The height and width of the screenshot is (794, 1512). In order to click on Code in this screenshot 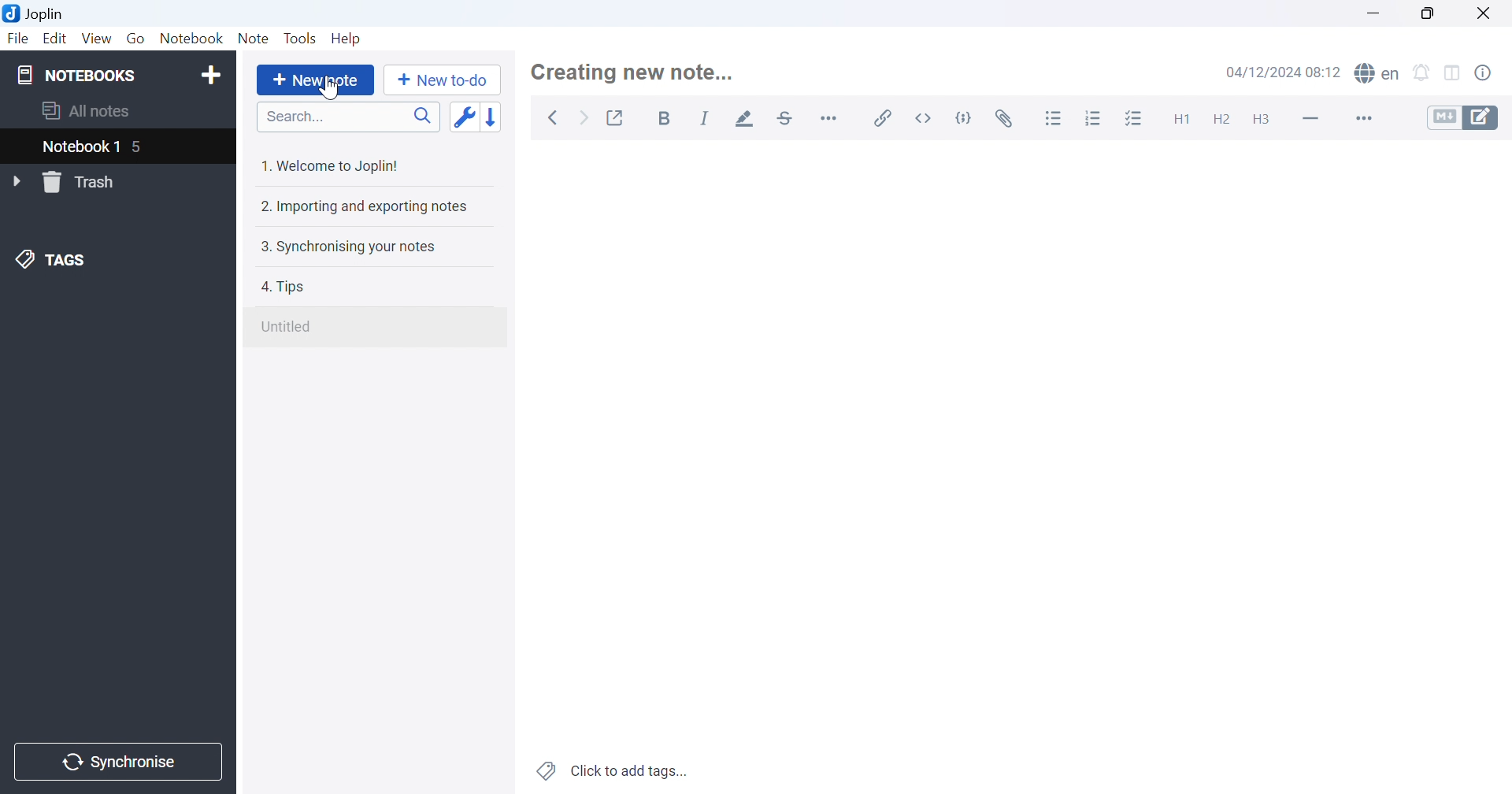, I will do `click(965, 118)`.